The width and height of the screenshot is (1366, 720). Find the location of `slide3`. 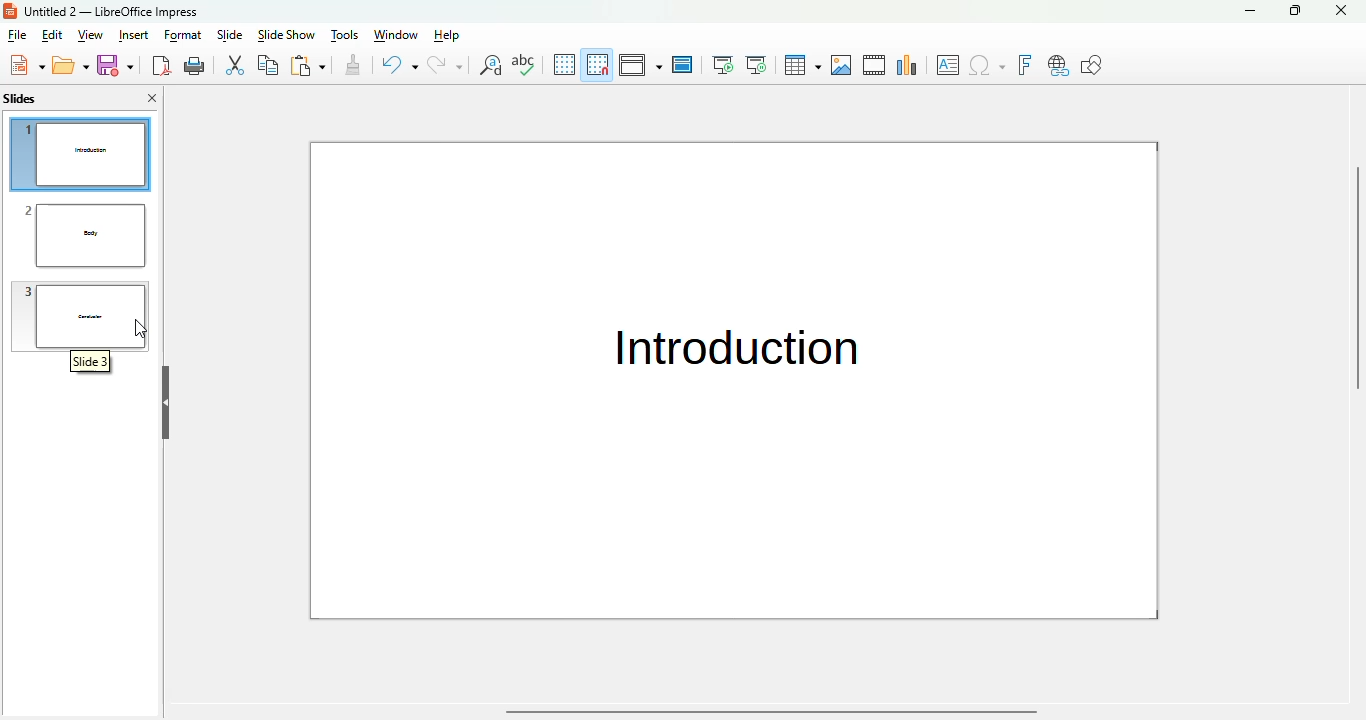

slide3 is located at coordinates (93, 363).